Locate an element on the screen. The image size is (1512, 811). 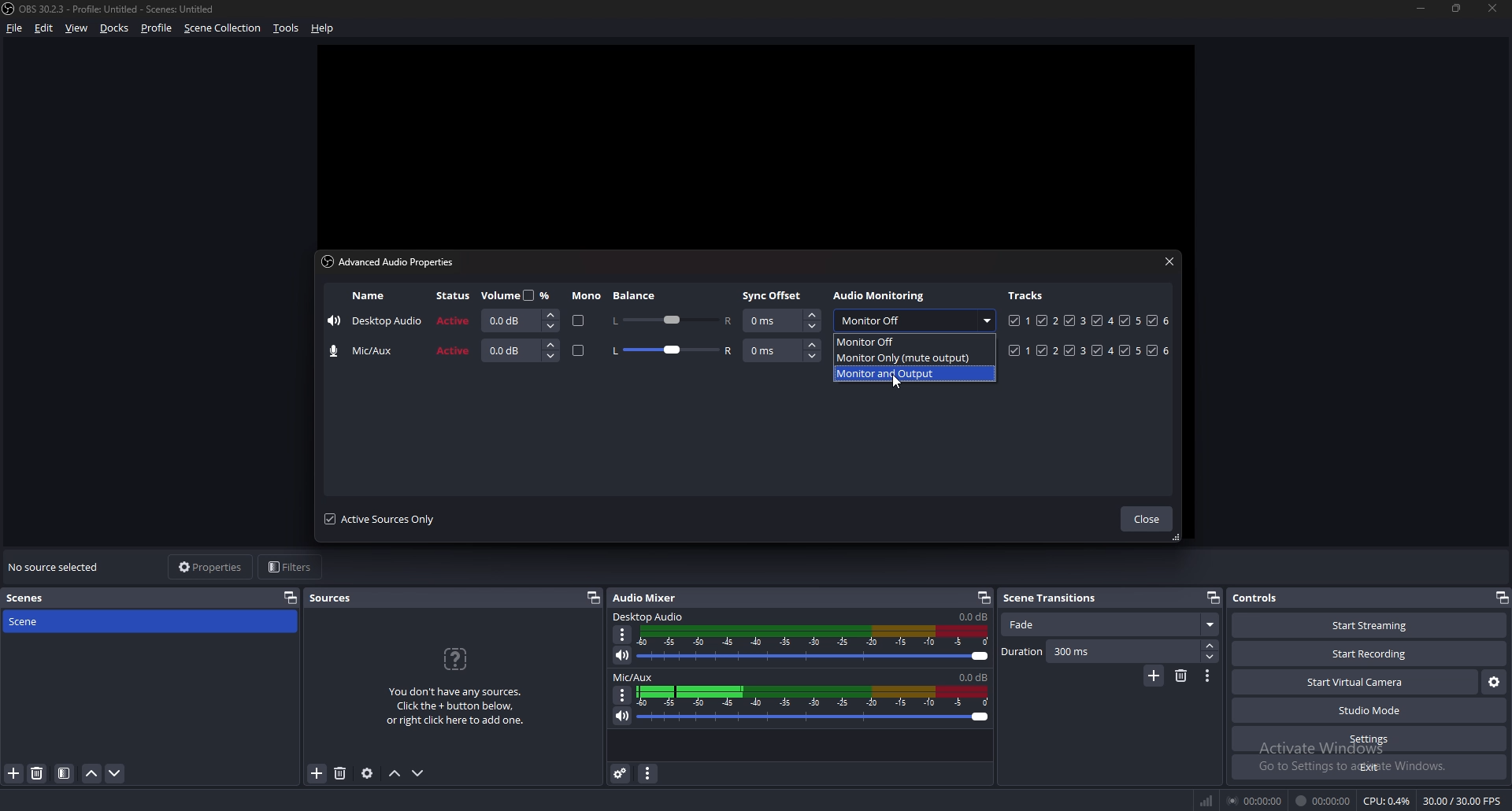
close is located at coordinates (1146, 520).